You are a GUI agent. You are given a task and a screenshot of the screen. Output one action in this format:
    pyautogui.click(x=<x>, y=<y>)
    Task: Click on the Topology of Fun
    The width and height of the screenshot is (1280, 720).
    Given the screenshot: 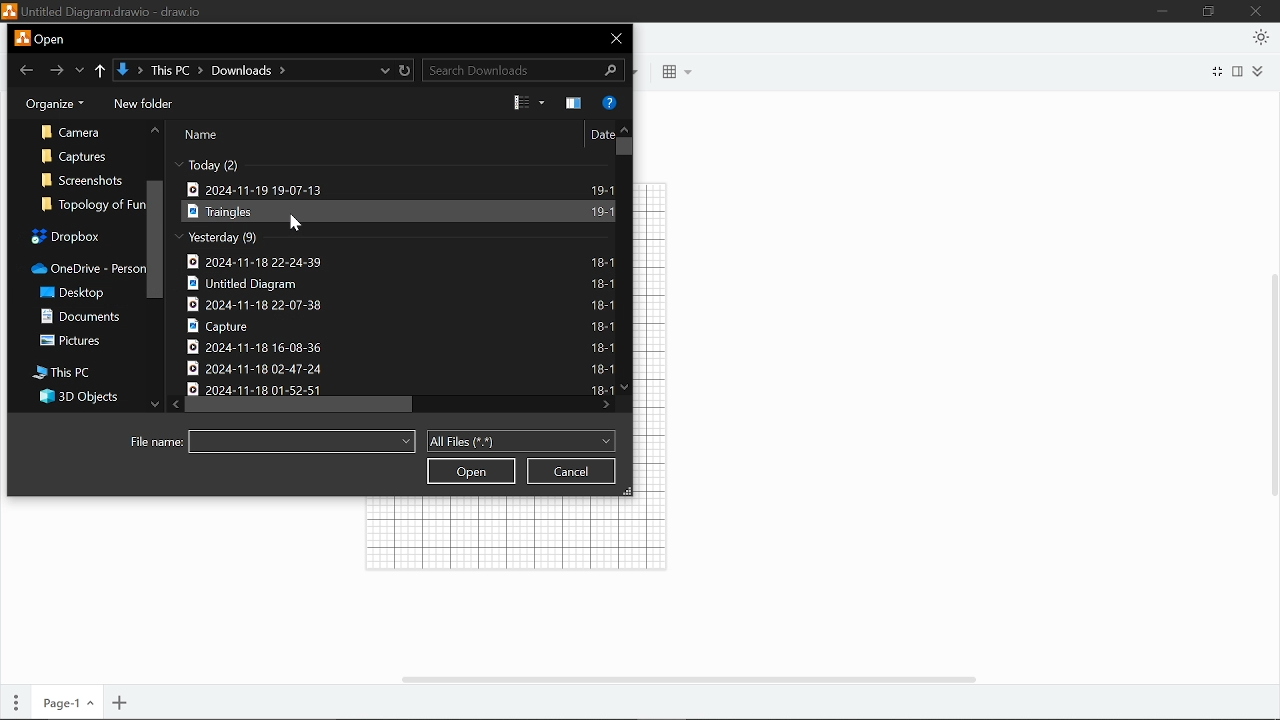 What is the action you would take?
    pyautogui.click(x=87, y=205)
    